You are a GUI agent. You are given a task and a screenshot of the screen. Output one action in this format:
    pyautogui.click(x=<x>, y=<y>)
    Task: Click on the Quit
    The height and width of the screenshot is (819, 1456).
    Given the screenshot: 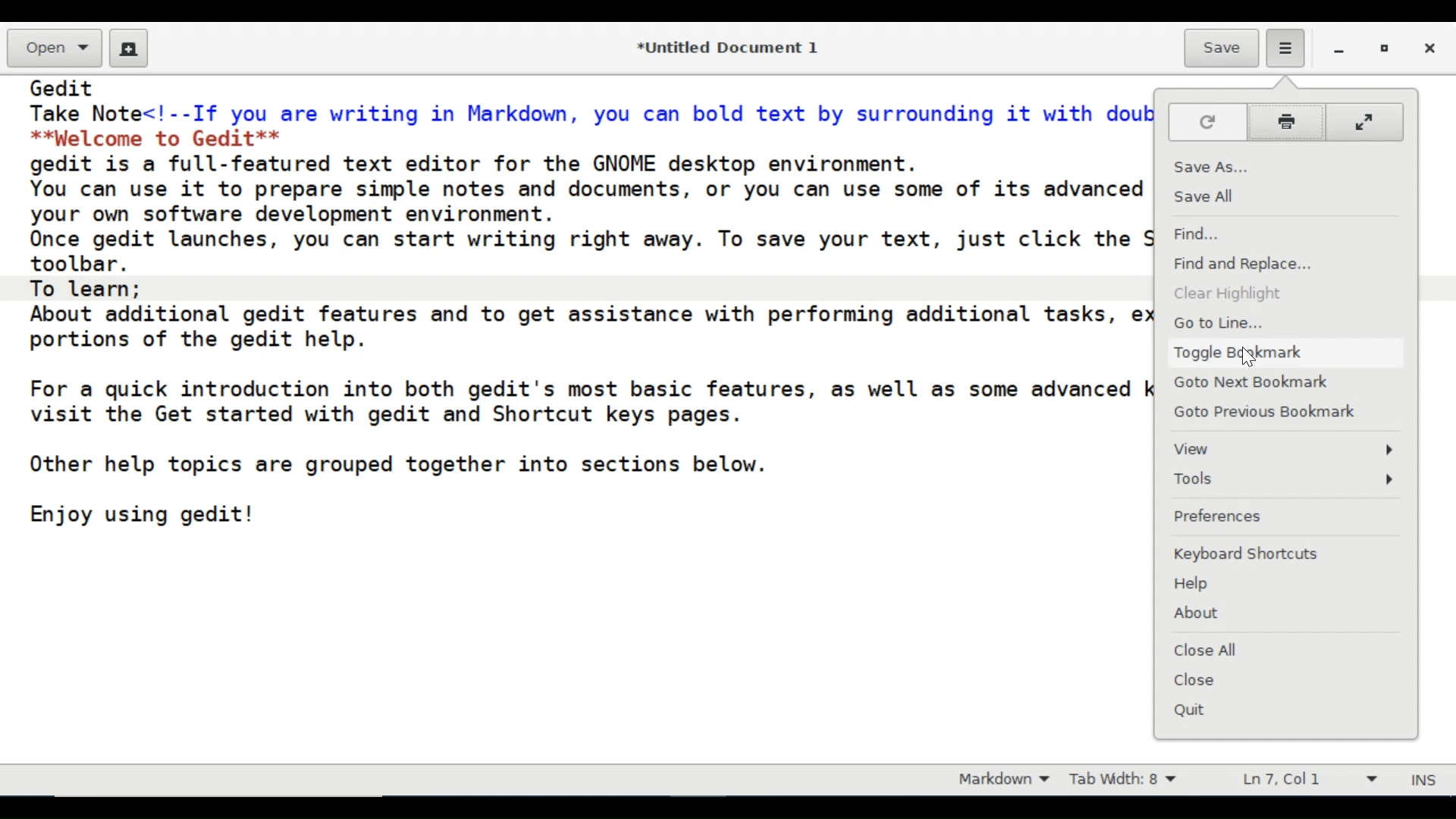 What is the action you would take?
    pyautogui.click(x=1194, y=711)
    